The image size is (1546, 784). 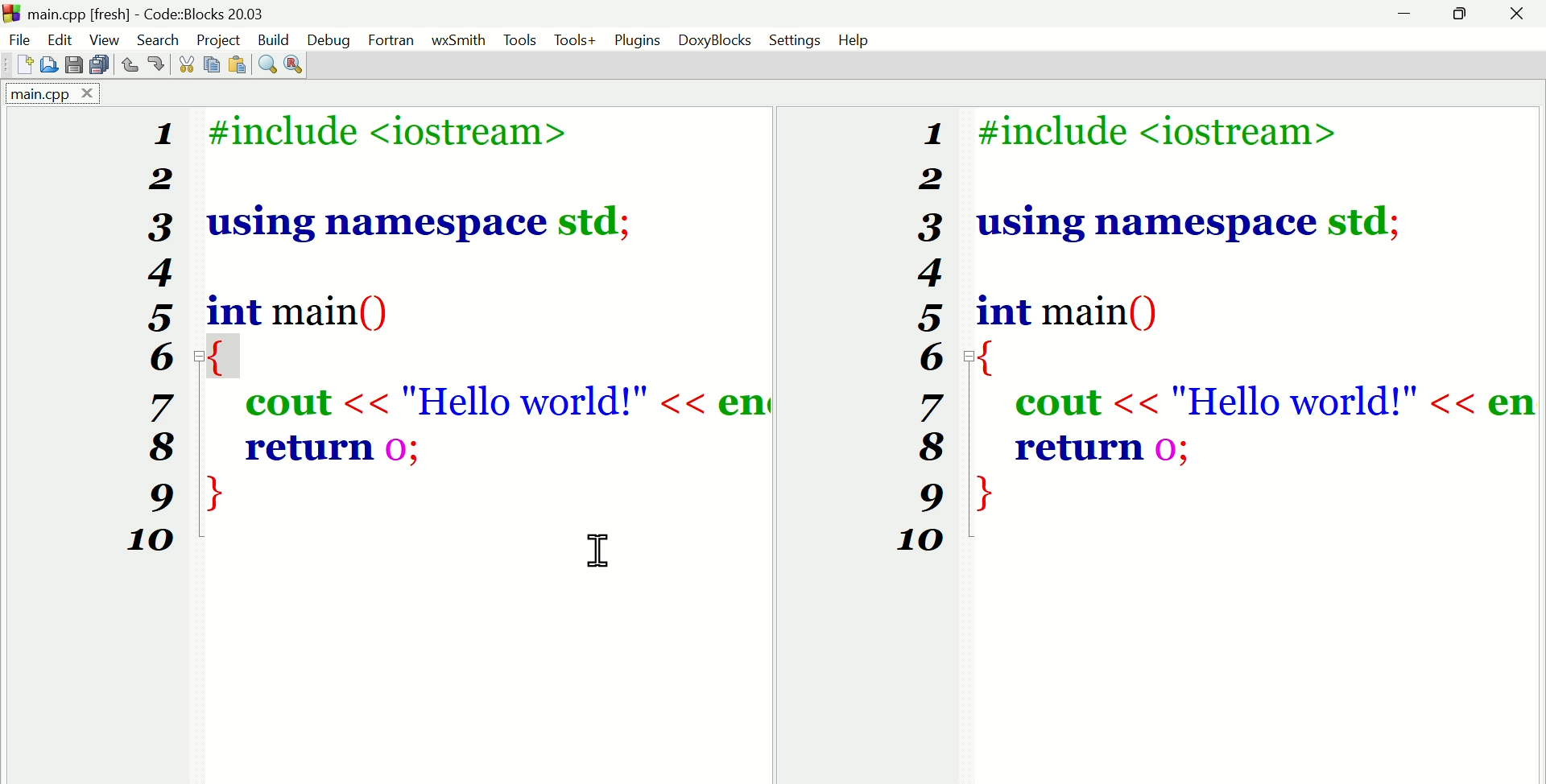 I want to click on Cut, so click(x=183, y=64).